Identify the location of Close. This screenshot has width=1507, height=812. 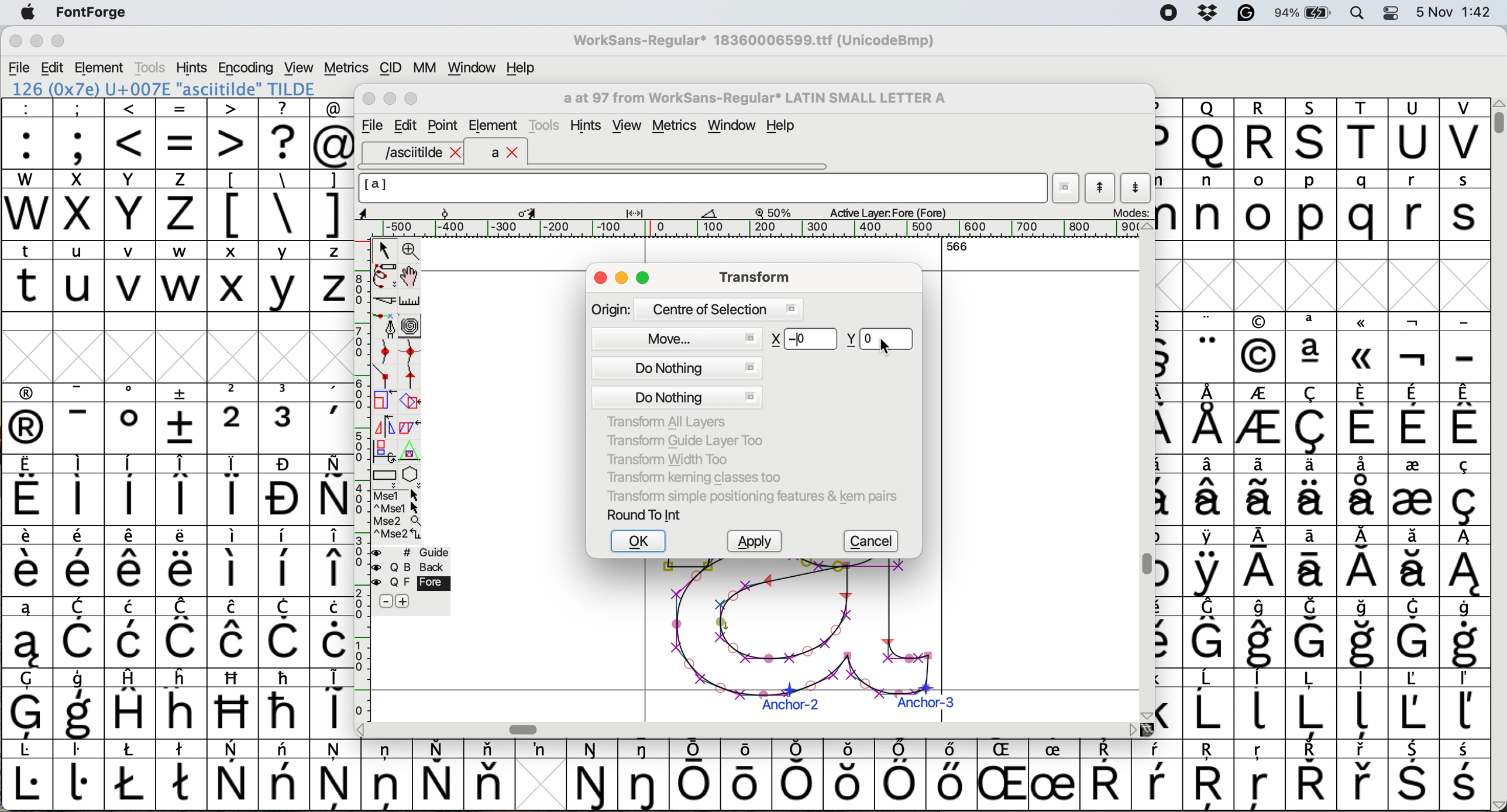
(370, 99).